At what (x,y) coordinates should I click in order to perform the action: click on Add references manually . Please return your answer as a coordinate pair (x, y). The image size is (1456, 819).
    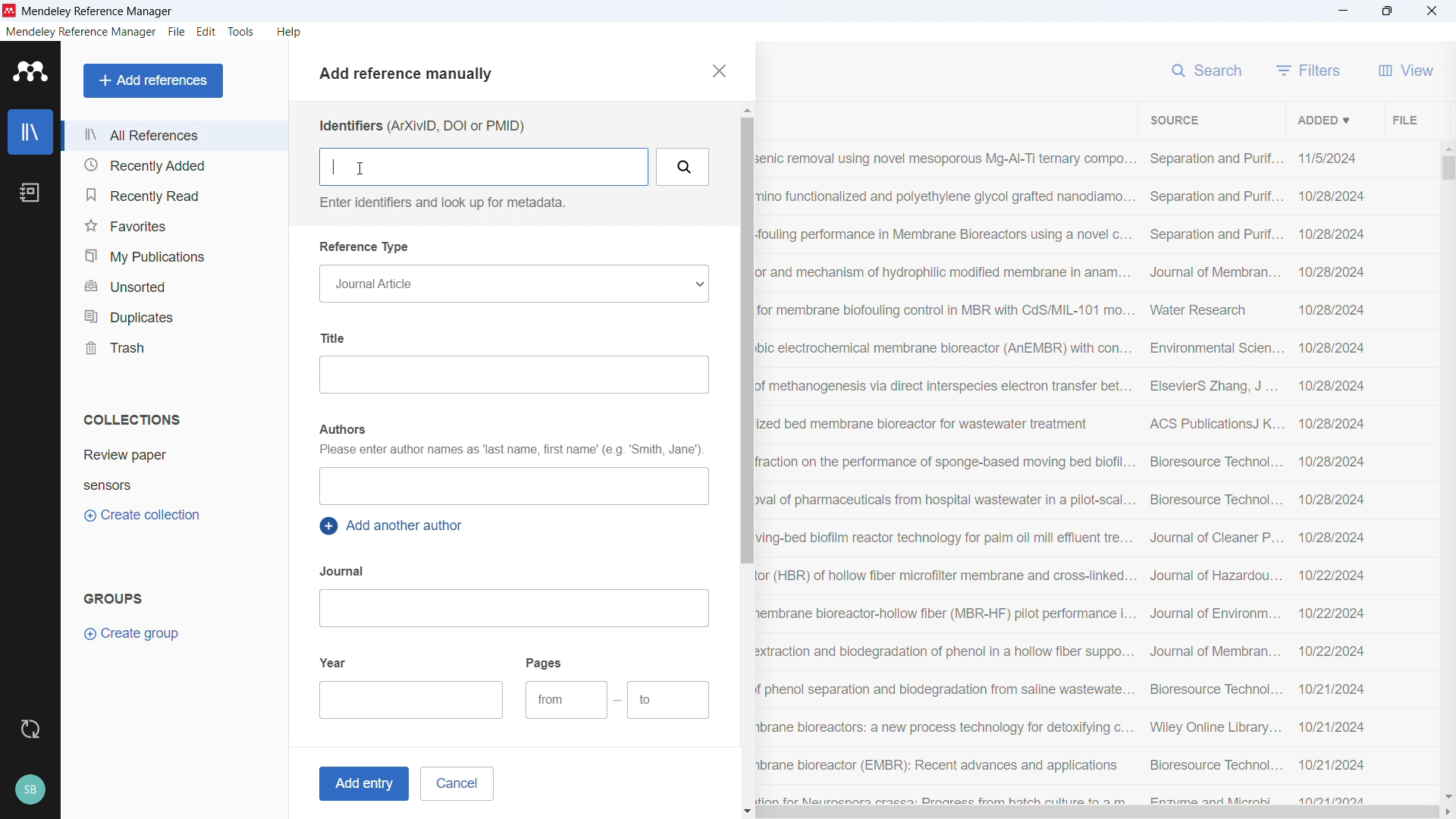
    Looking at the image, I should click on (412, 76).